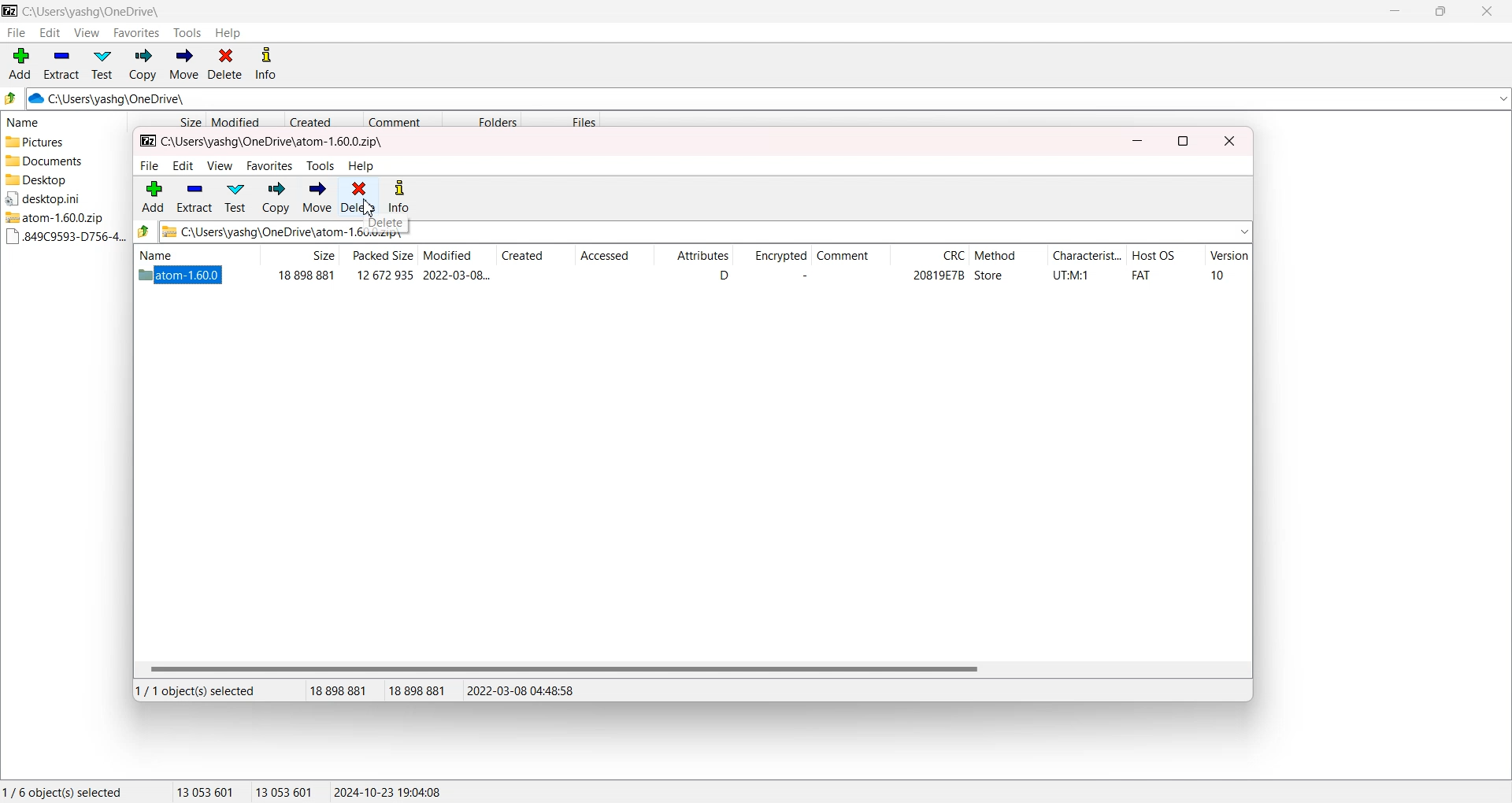 Image resolution: width=1512 pixels, height=803 pixels. What do you see at coordinates (20, 64) in the screenshot?
I see `Add` at bounding box center [20, 64].